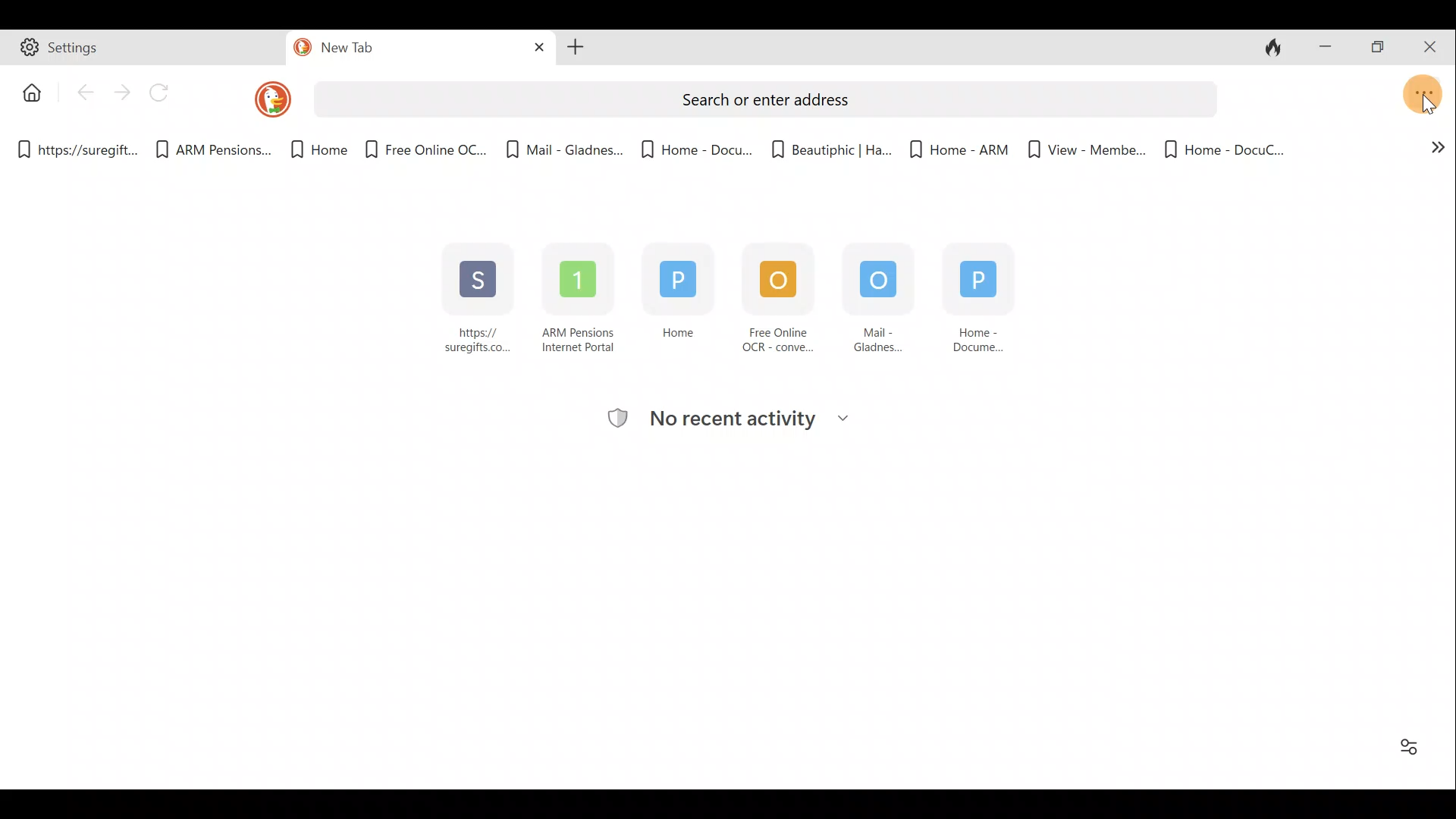 The image size is (1456, 819). What do you see at coordinates (1429, 47) in the screenshot?
I see `Close` at bounding box center [1429, 47].